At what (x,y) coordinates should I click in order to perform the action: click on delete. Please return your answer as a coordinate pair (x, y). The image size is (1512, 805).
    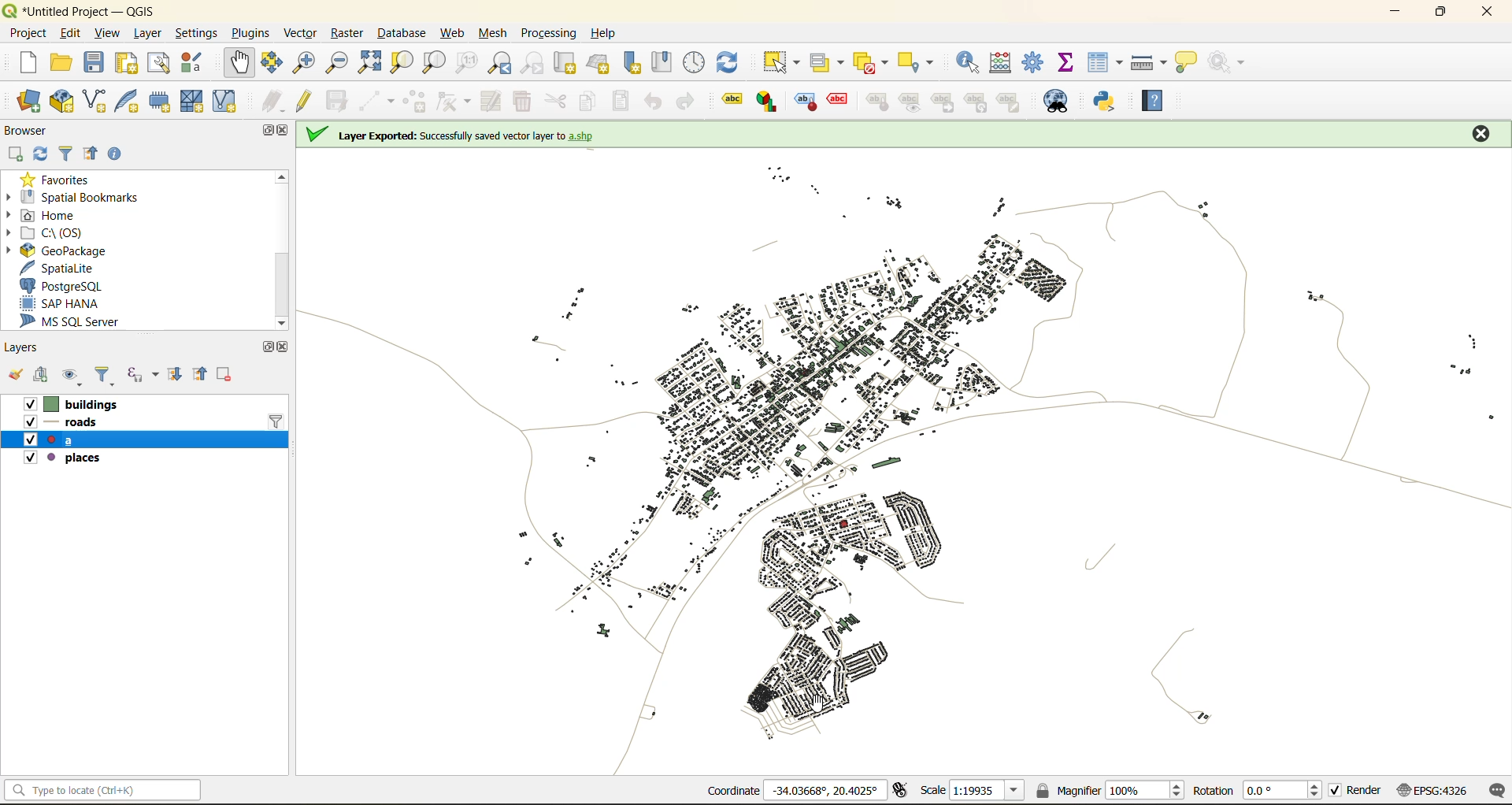
    Looking at the image, I should click on (524, 103).